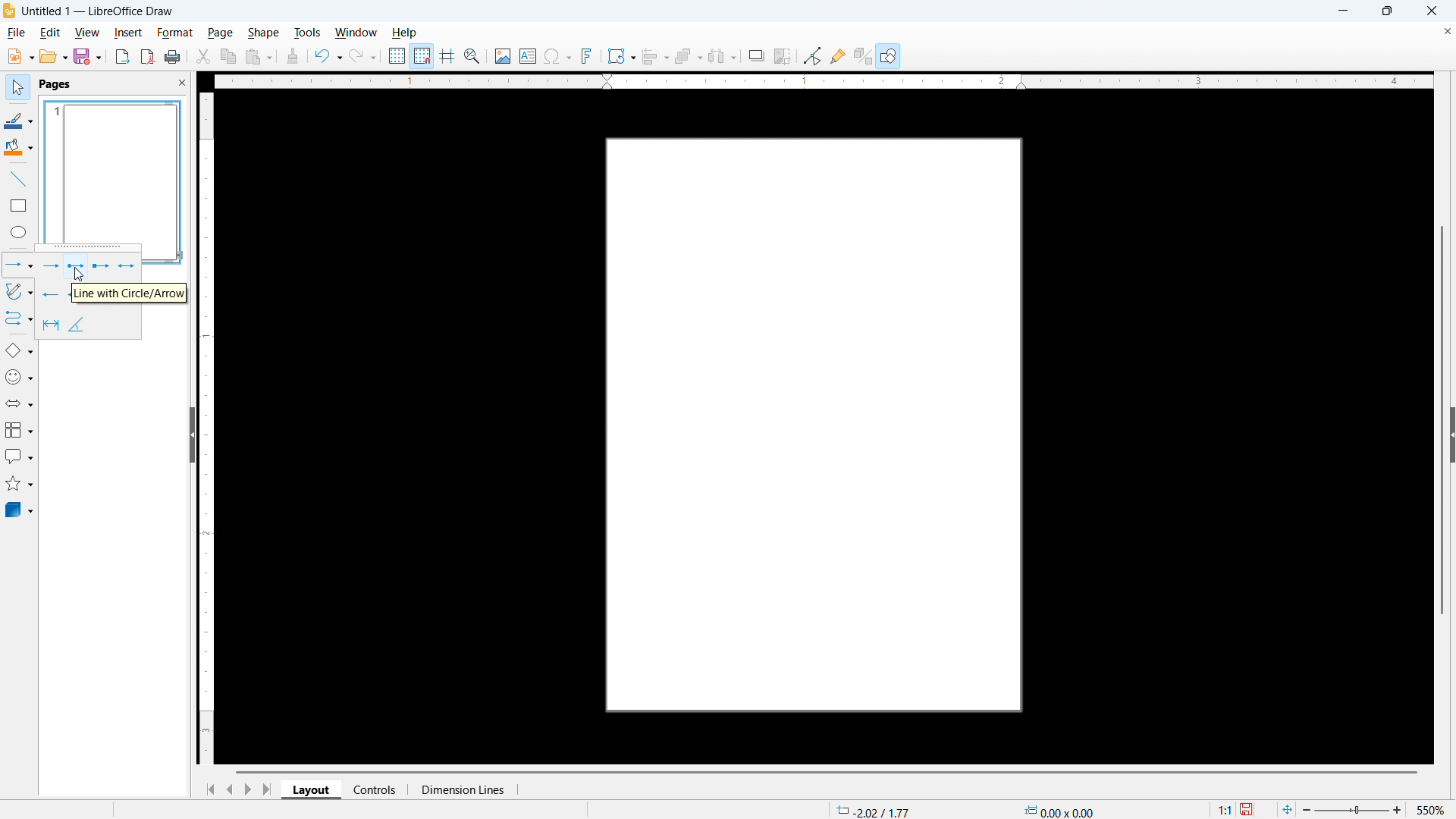 This screenshot has width=1456, height=819. Describe the element at coordinates (19, 231) in the screenshot. I see `Ellipse ` at that location.